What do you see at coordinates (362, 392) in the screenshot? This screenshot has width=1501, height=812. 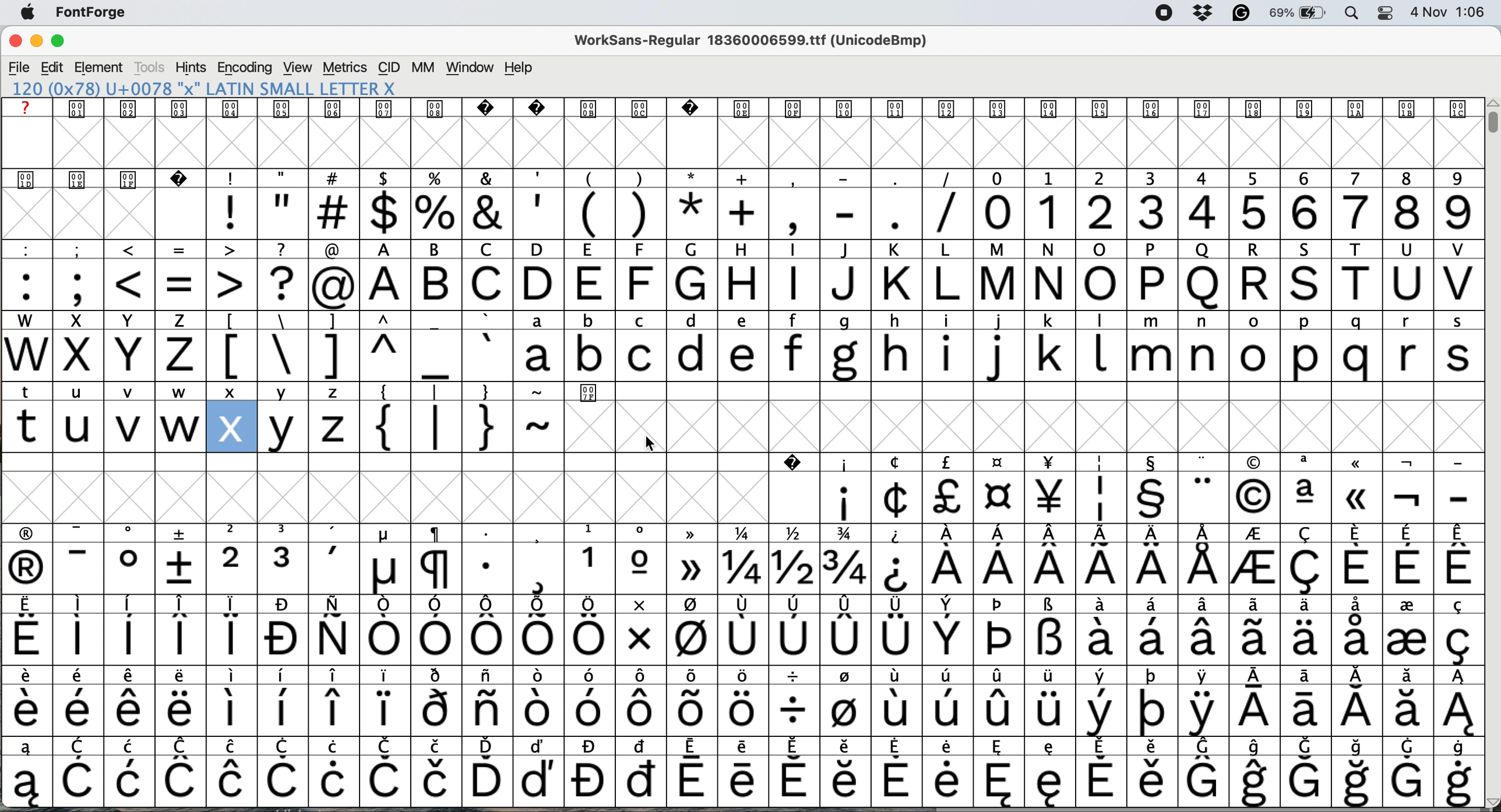 I see `special characters` at bounding box center [362, 392].